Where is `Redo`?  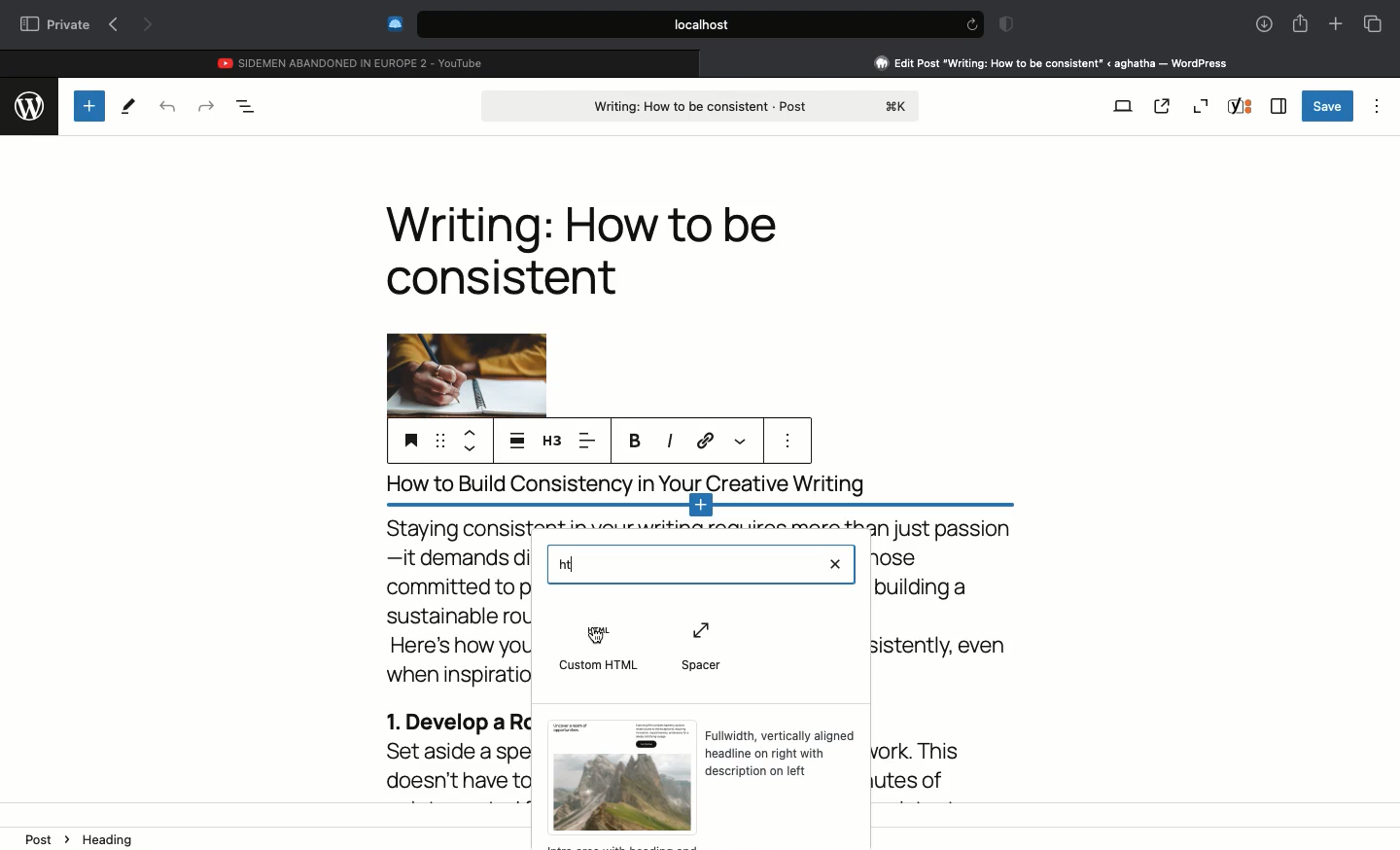 Redo is located at coordinates (206, 106).